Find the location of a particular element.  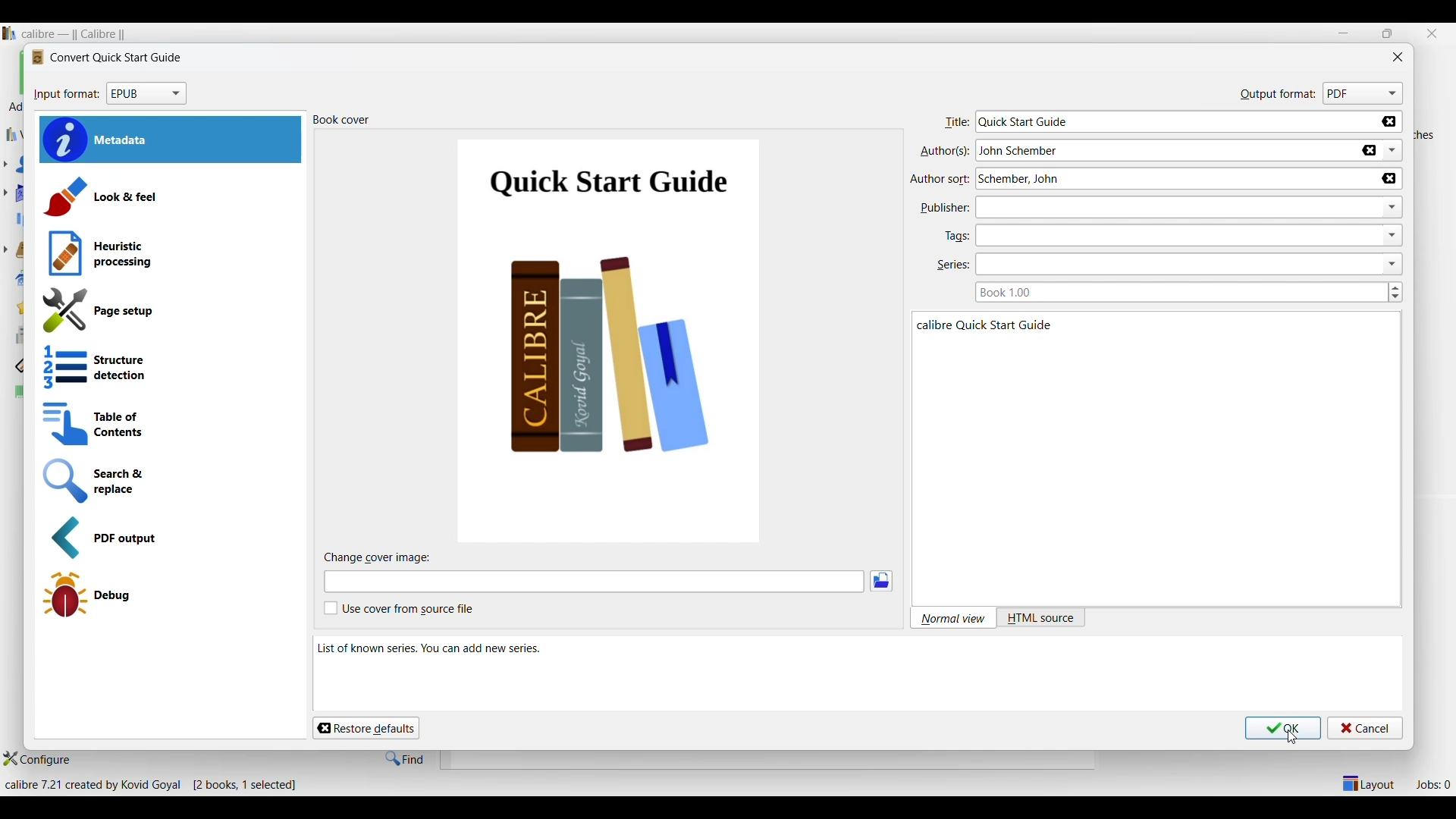

Delete name is located at coordinates (1369, 151).